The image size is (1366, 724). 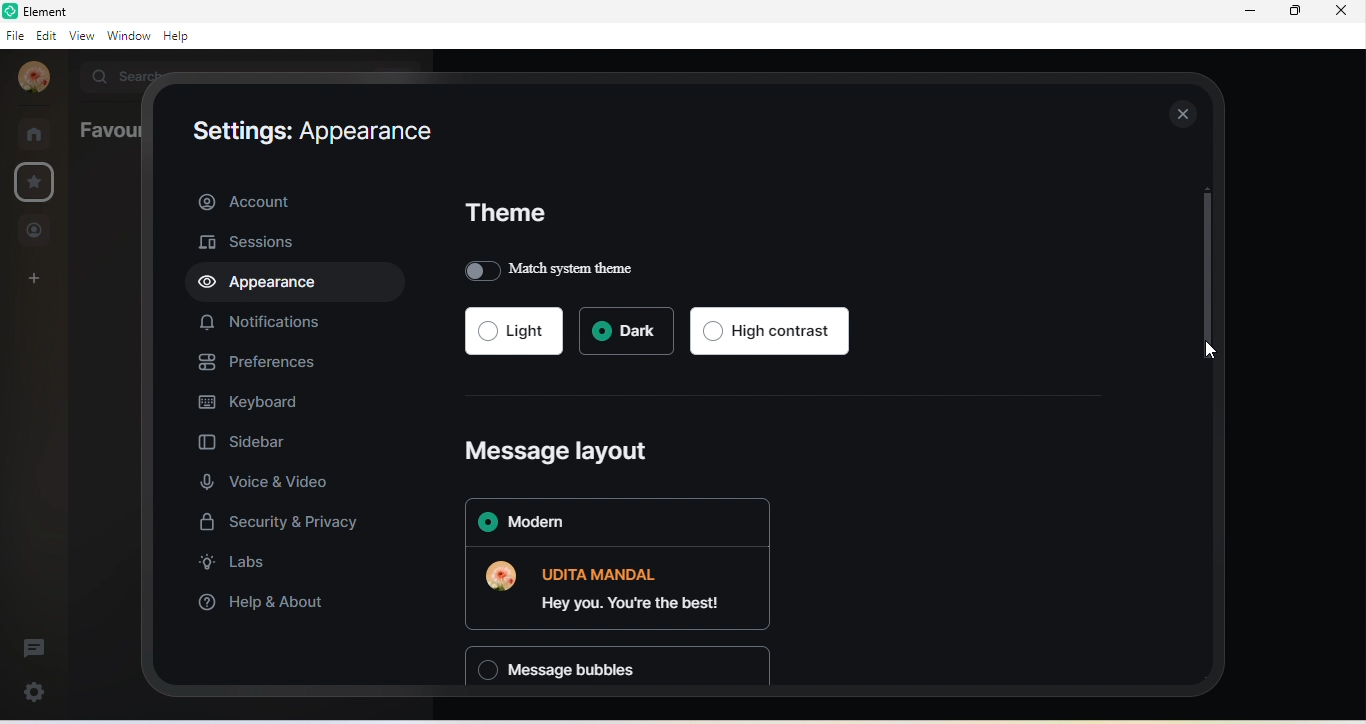 What do you see at coordinates (557, 269) in the screenshot?
I see `match system theme` at bounding box center [557, 269].